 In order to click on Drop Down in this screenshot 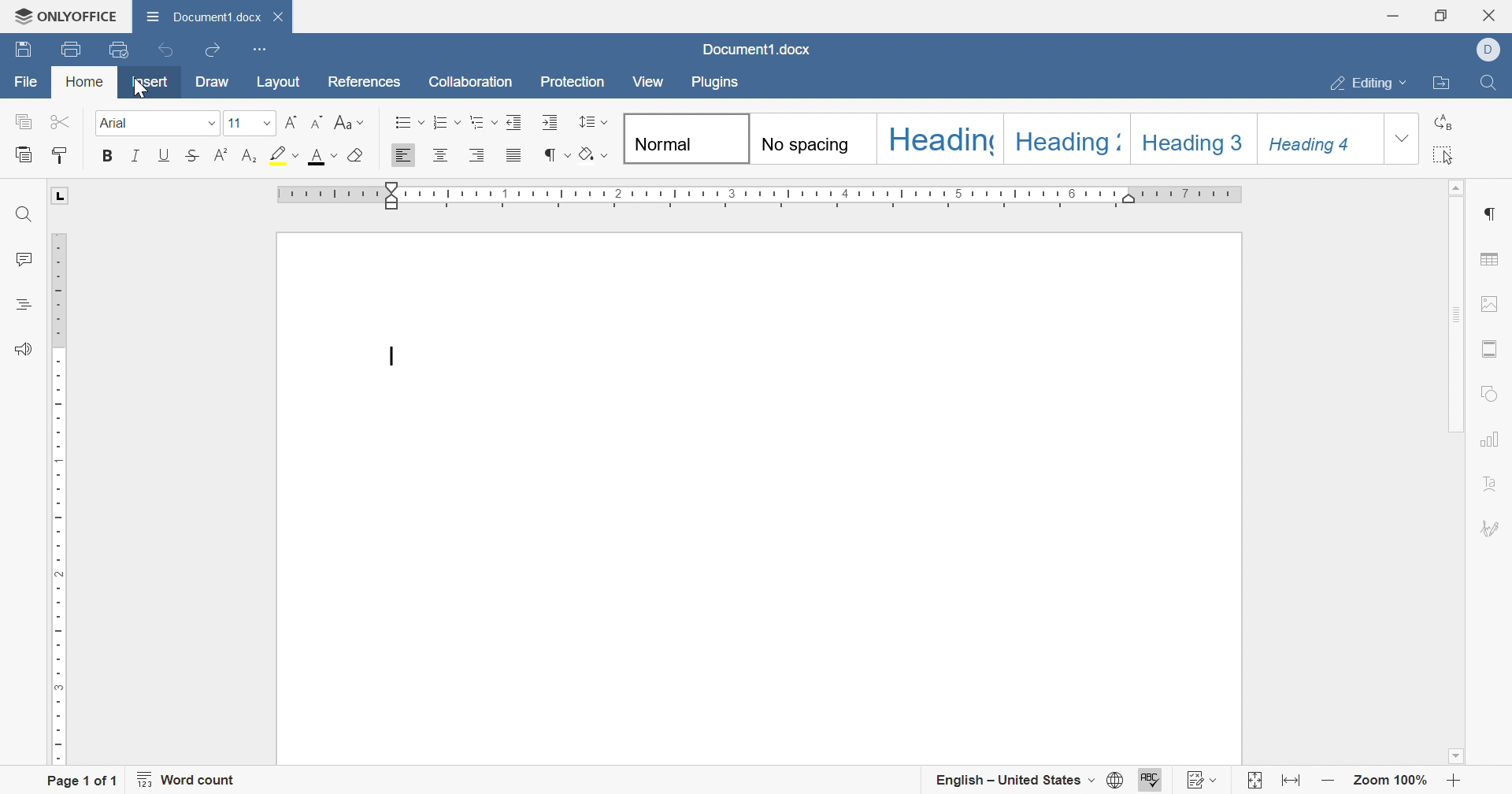, I will do `click(1218, 779)`.